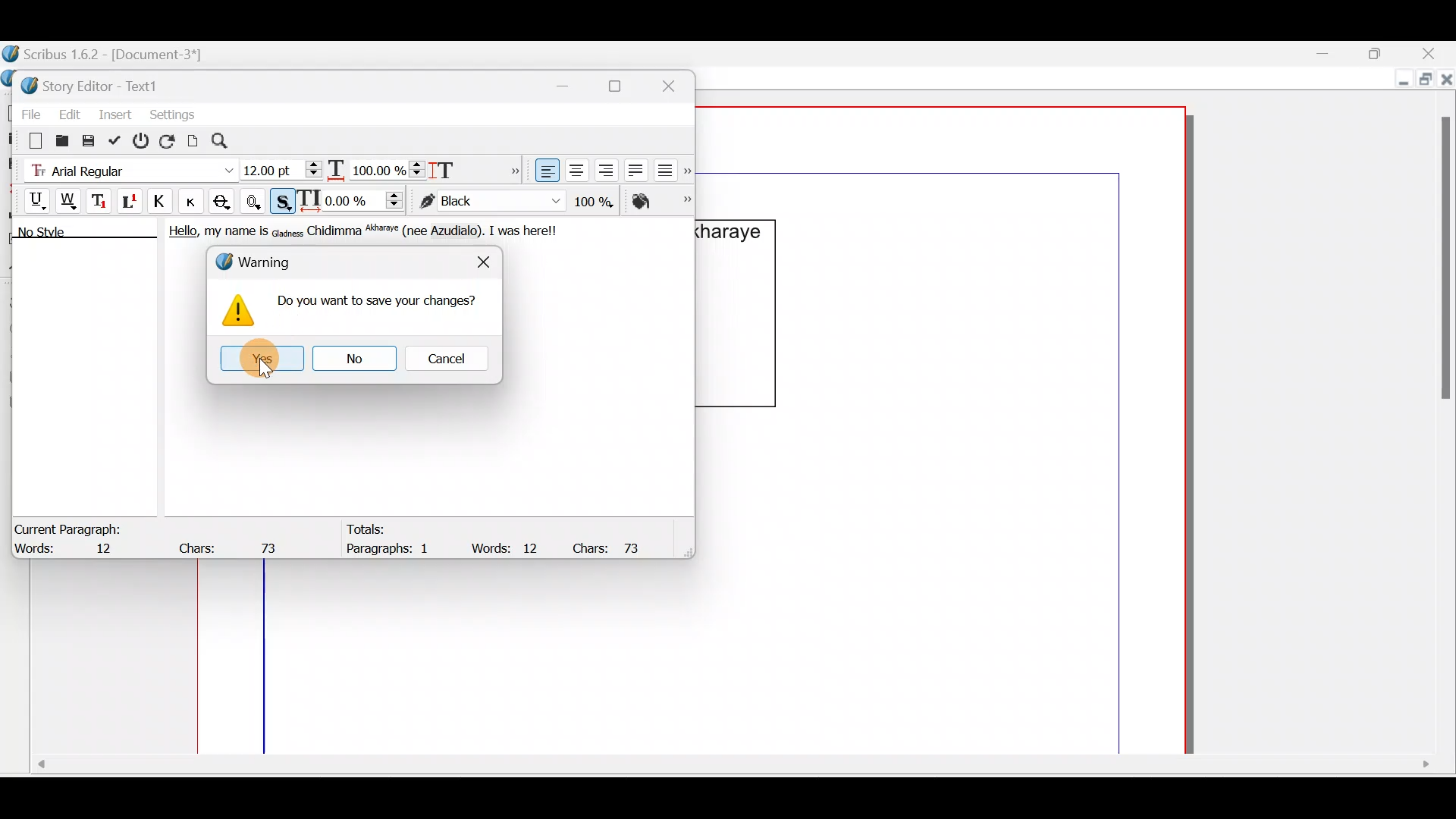  I want to click on More, so click(511, 168).